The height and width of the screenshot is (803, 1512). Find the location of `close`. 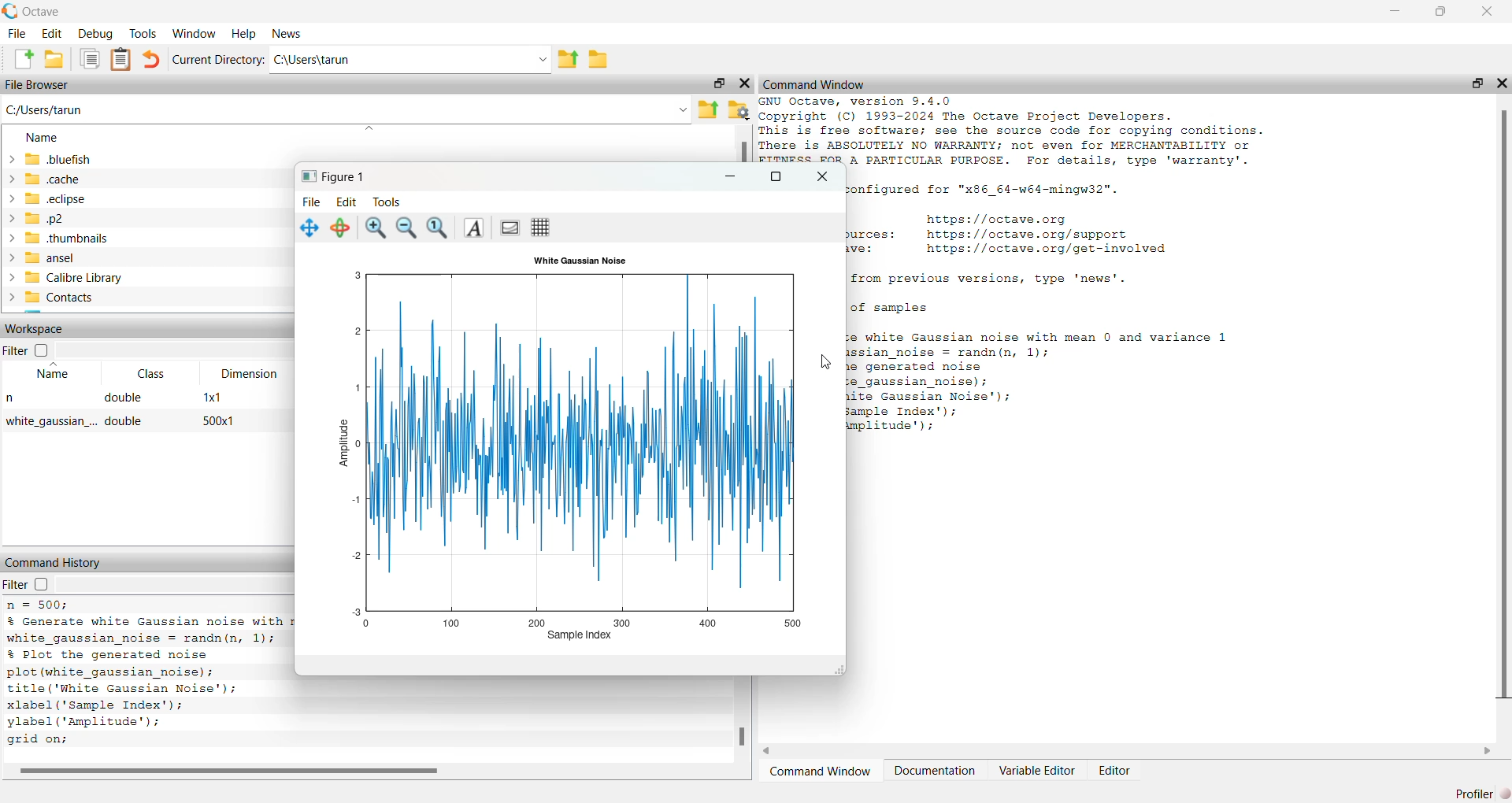

close is located at coordinates (1484, 12).